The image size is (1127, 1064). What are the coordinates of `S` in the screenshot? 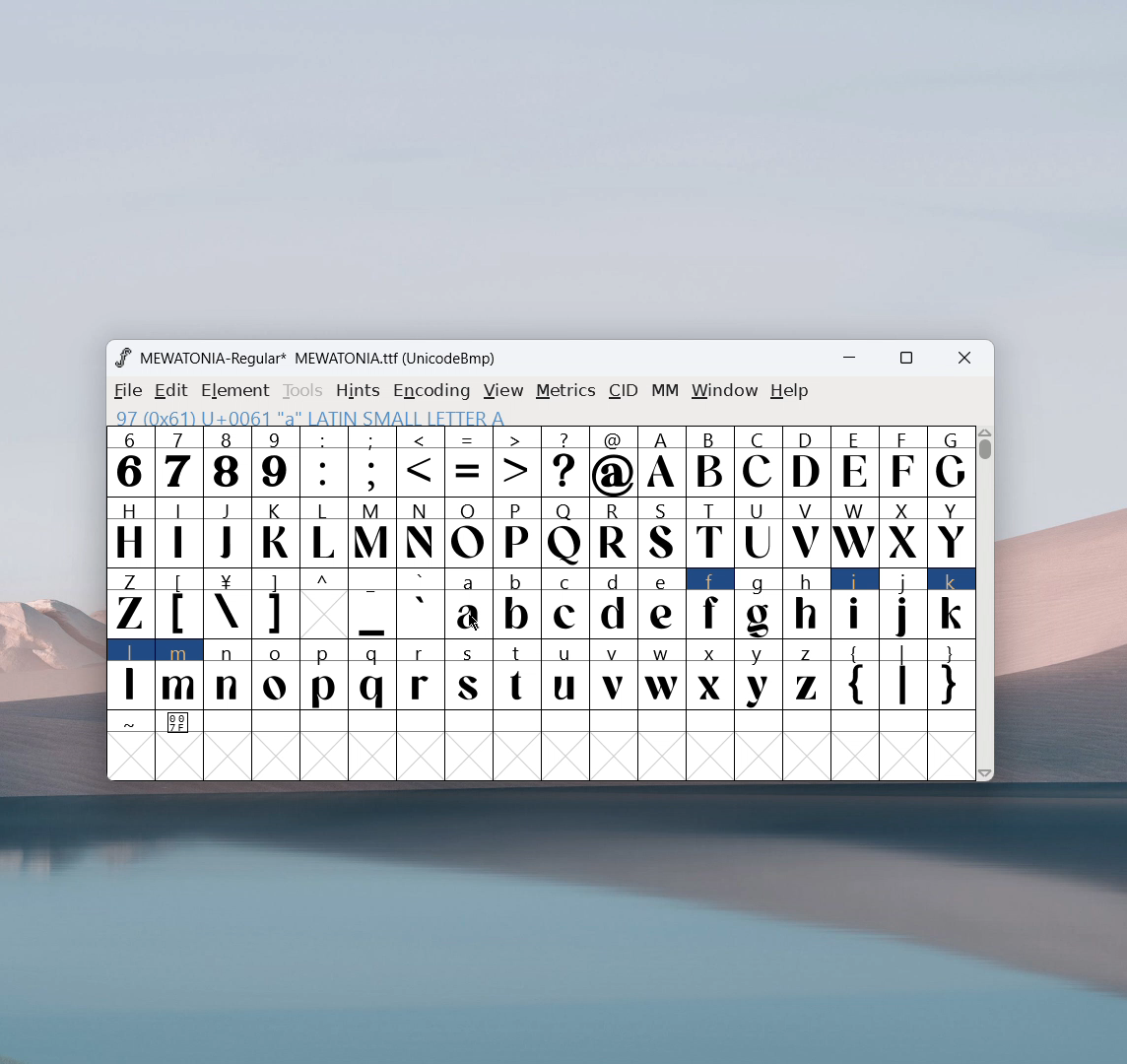 It's located at (662, 534).